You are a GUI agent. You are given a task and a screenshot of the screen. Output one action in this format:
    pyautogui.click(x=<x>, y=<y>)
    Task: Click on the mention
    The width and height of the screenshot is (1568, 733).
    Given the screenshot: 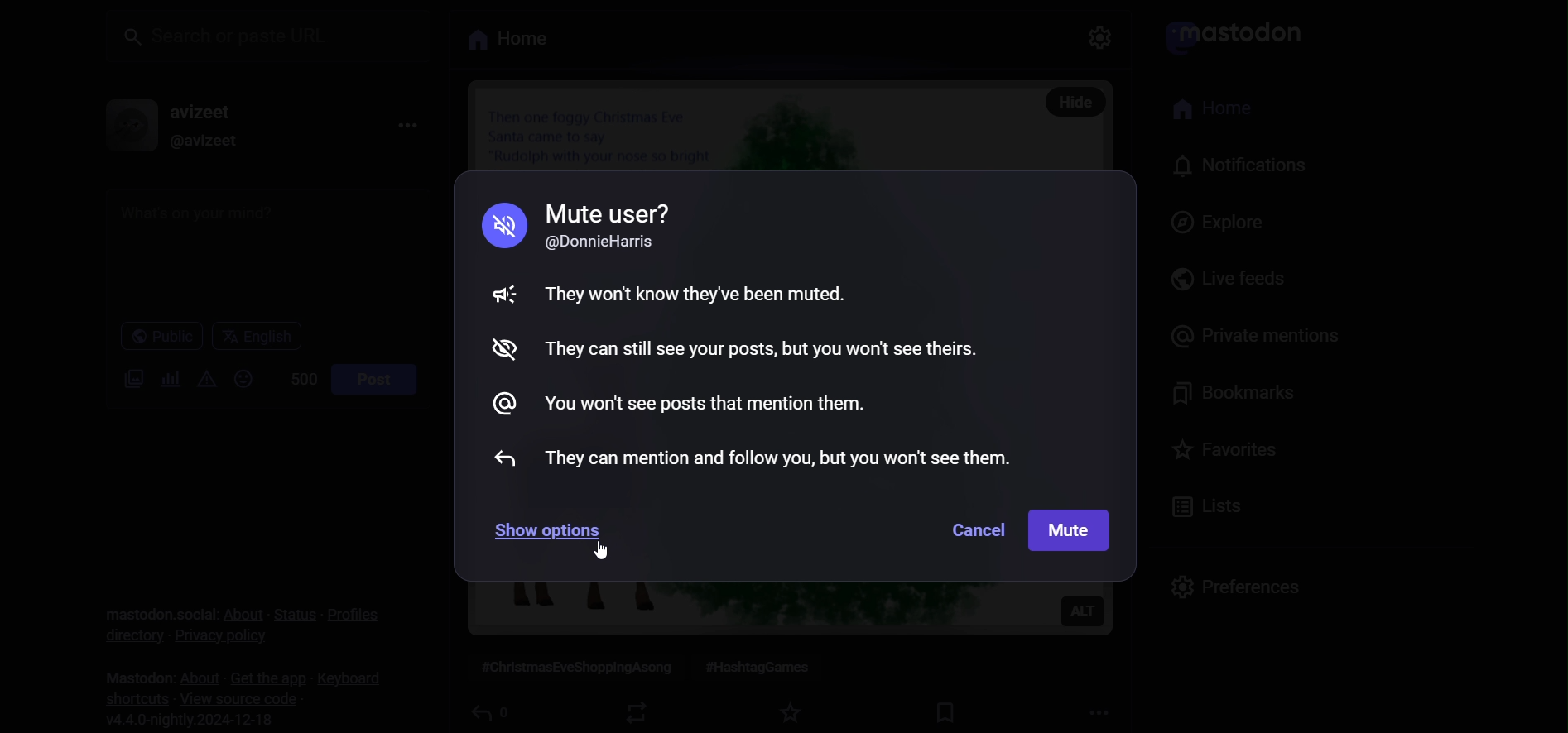 What is the action you would take?
    pyautogui.click(x=496, y=405)
    